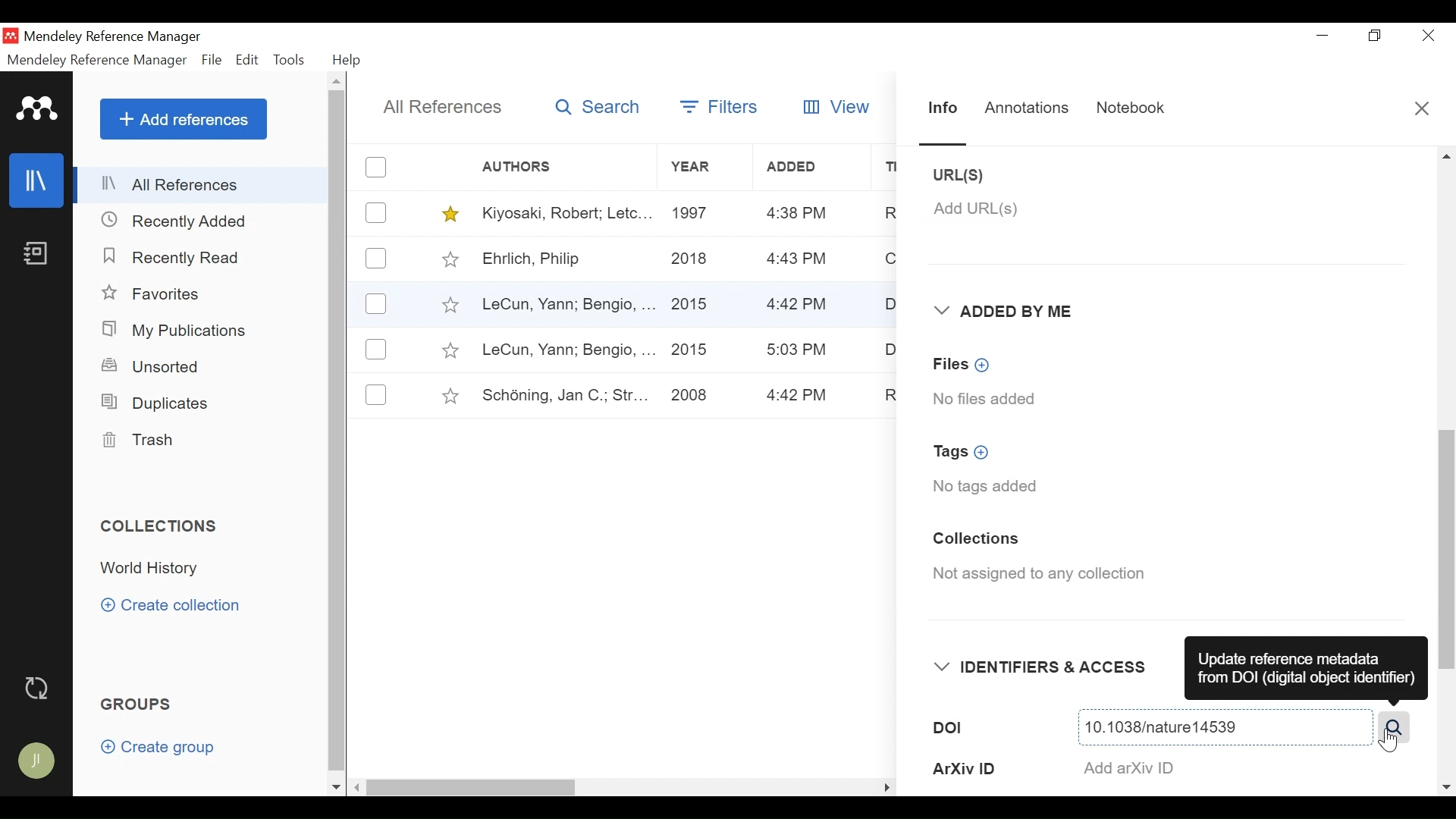  Describe the element at coordinates (338, 83) in the screenshot. I see `Scroll up` at that location.